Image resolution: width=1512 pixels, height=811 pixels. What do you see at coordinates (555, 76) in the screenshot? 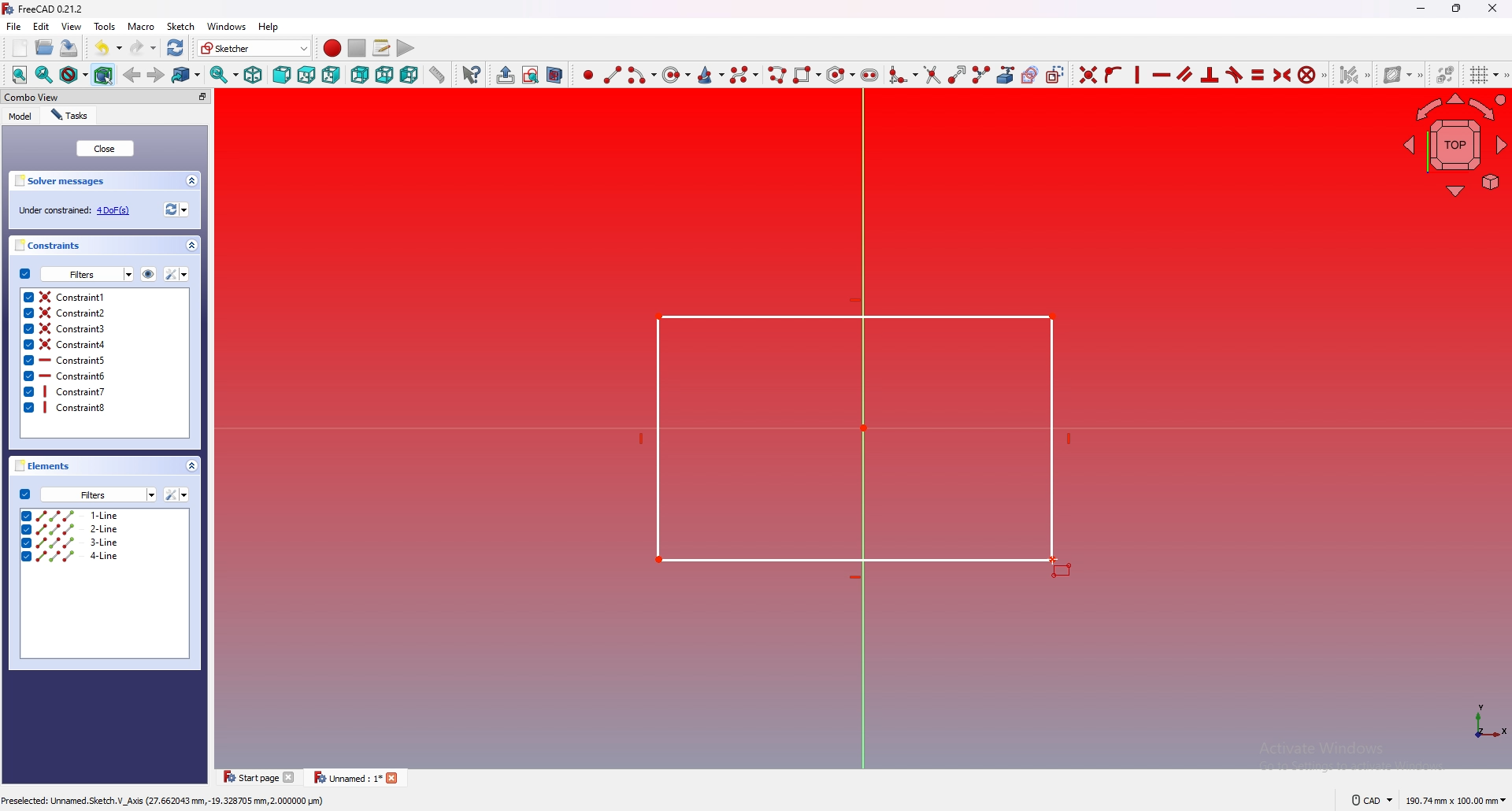
I see `view section` at bounding box center [555, 76].